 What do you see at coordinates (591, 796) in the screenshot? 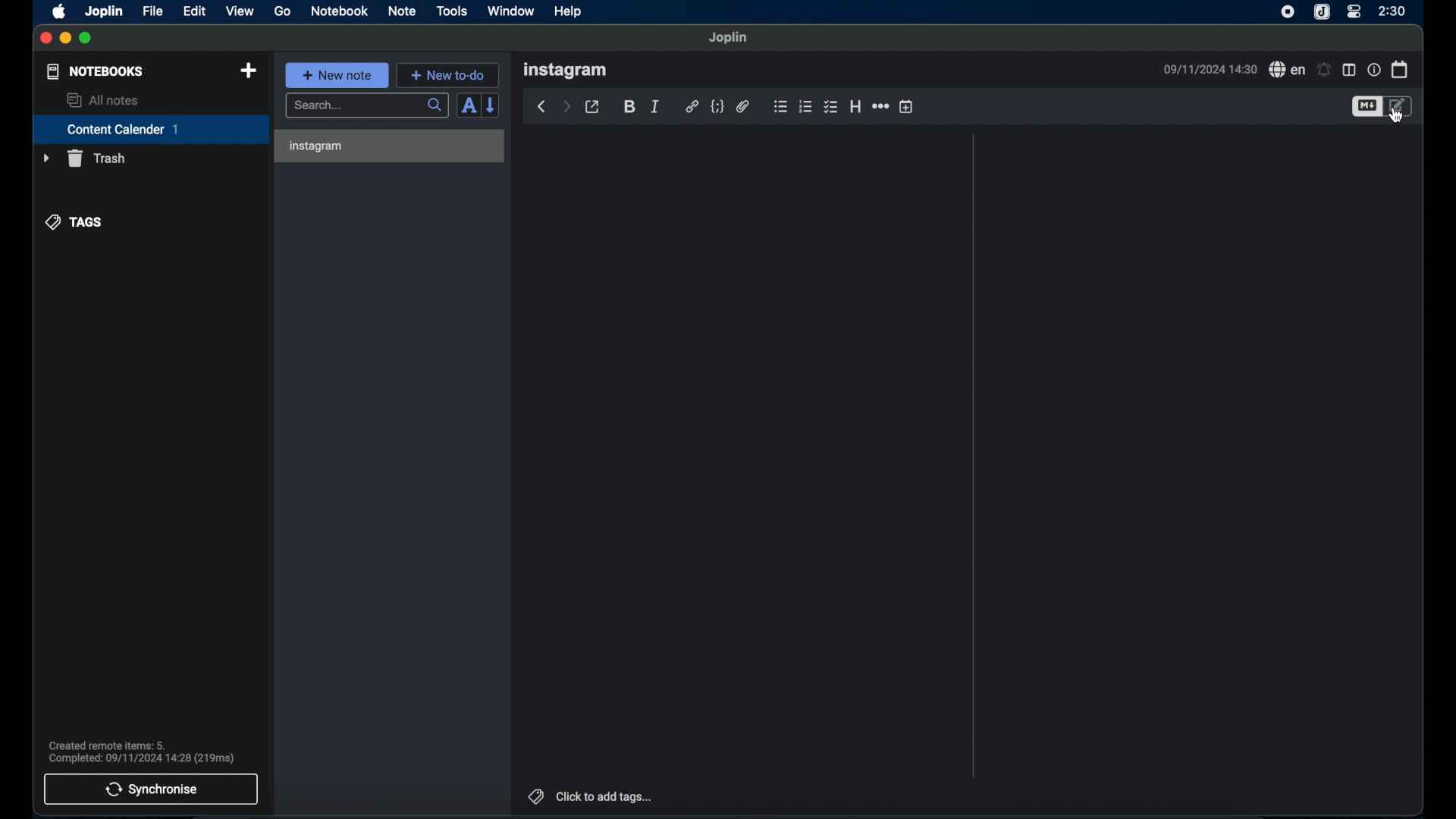
I see `click to add tags` at bounding box center [591, 796].